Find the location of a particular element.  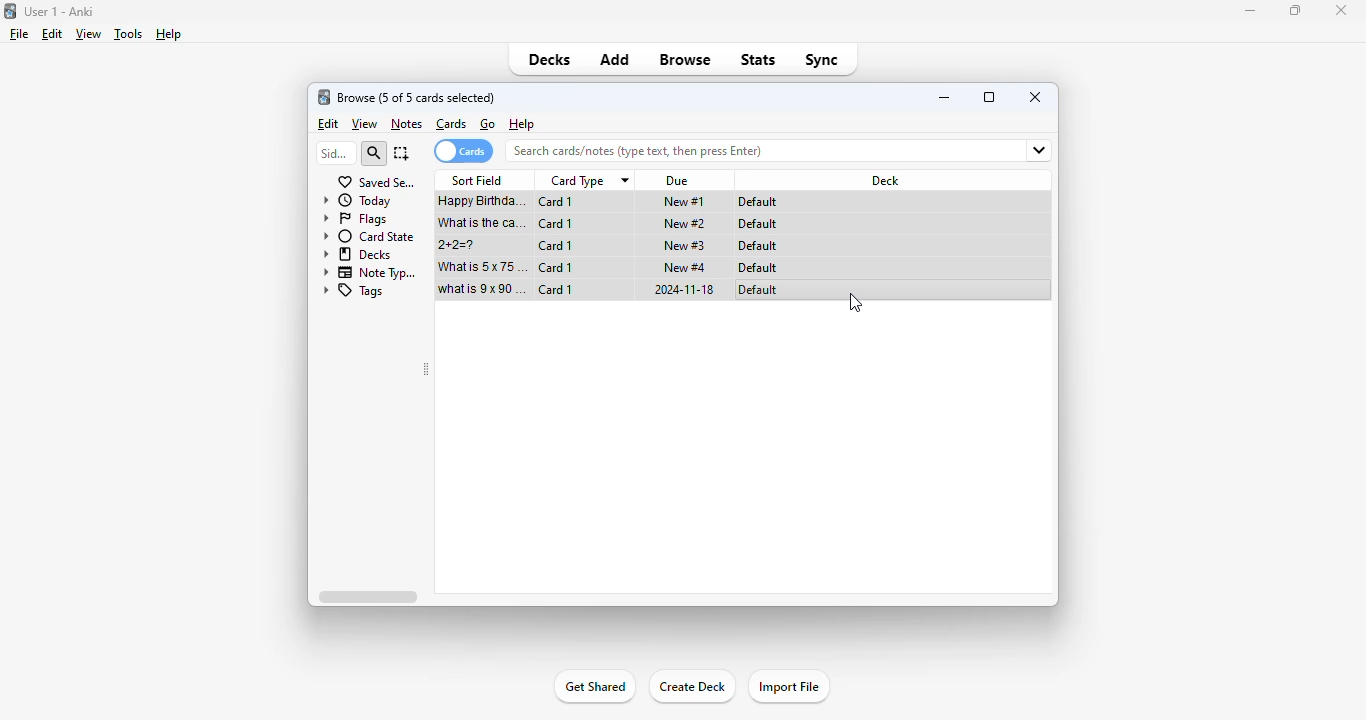

default is located at coordinates (757, 224).